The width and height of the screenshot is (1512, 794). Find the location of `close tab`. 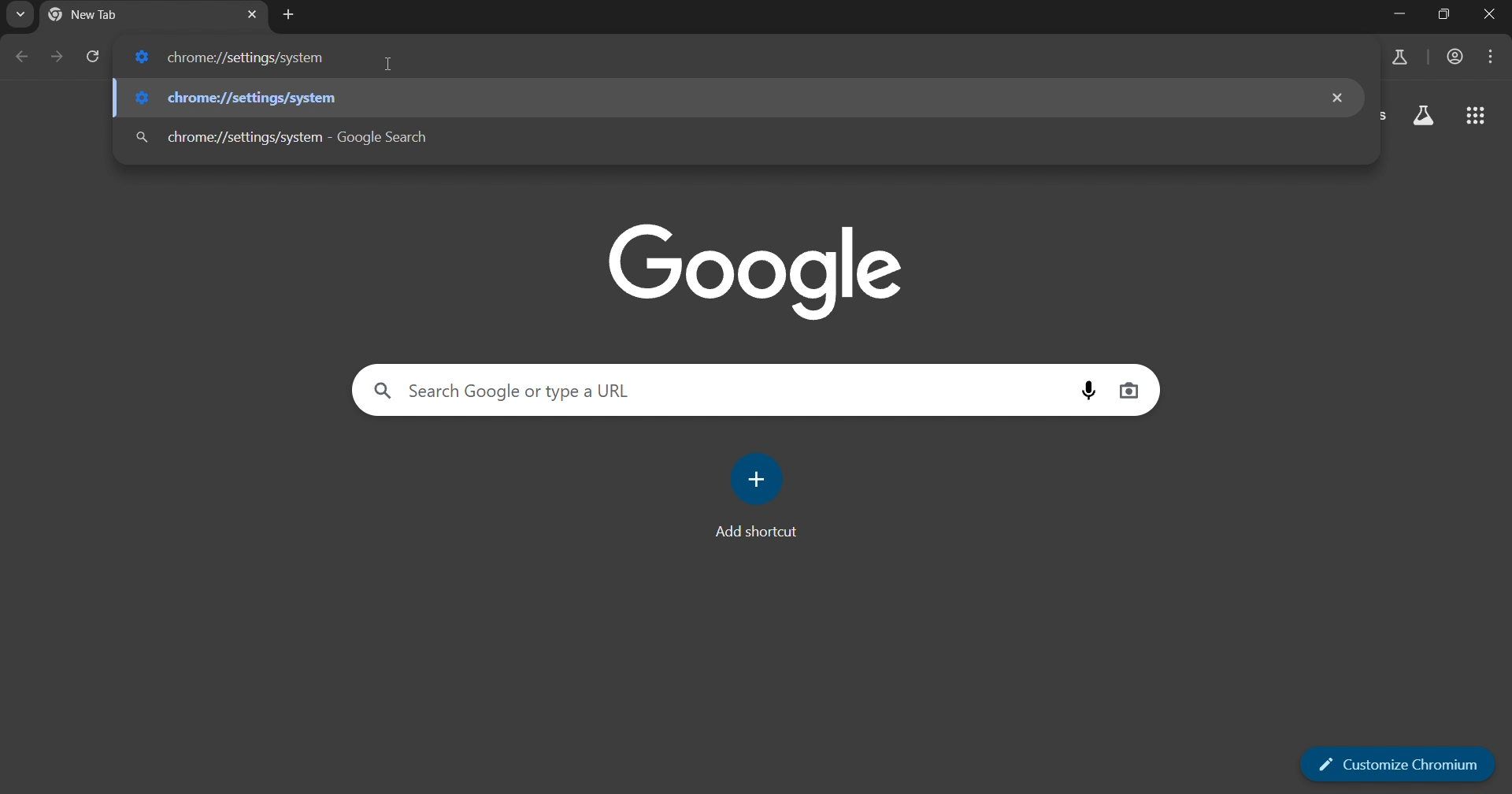

close tab is located at coordinates (250, 16).